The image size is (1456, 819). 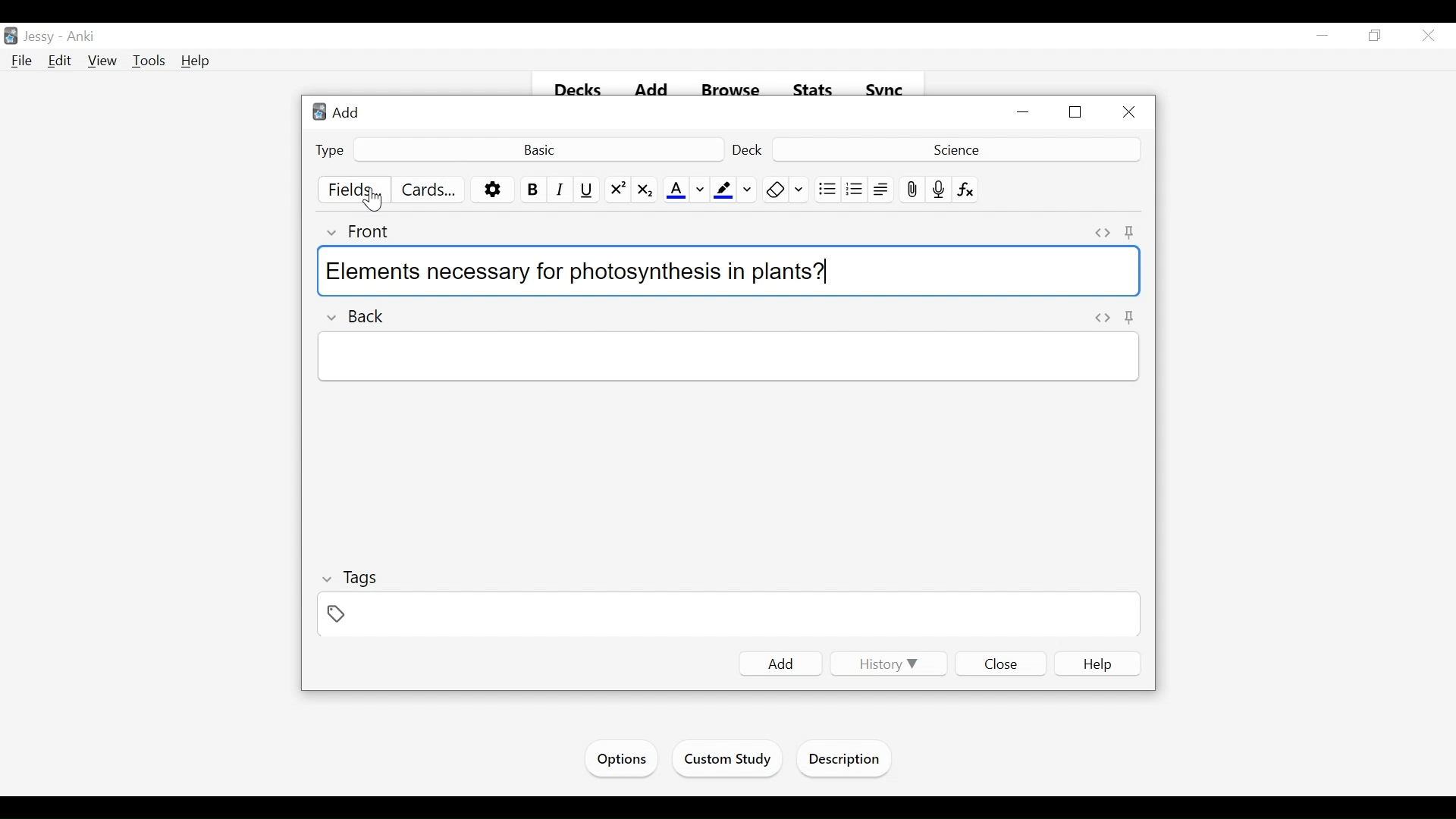 What do you see at coordinates (954, 149) in the screenshot?
I see `Deck` at bounding box center [954, 149].